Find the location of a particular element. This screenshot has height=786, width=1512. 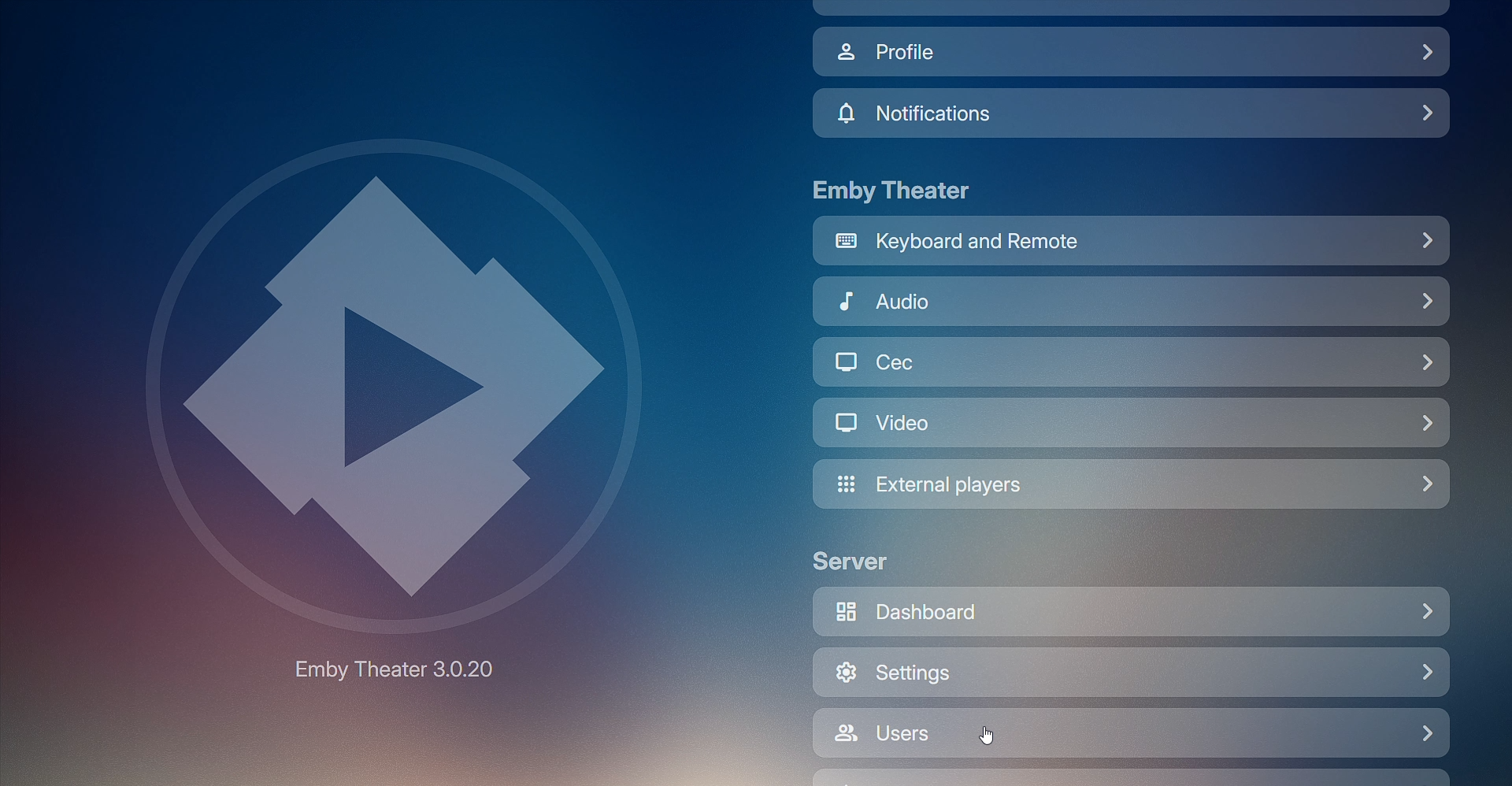

Subttiles is located at coordinates (1131, 361).